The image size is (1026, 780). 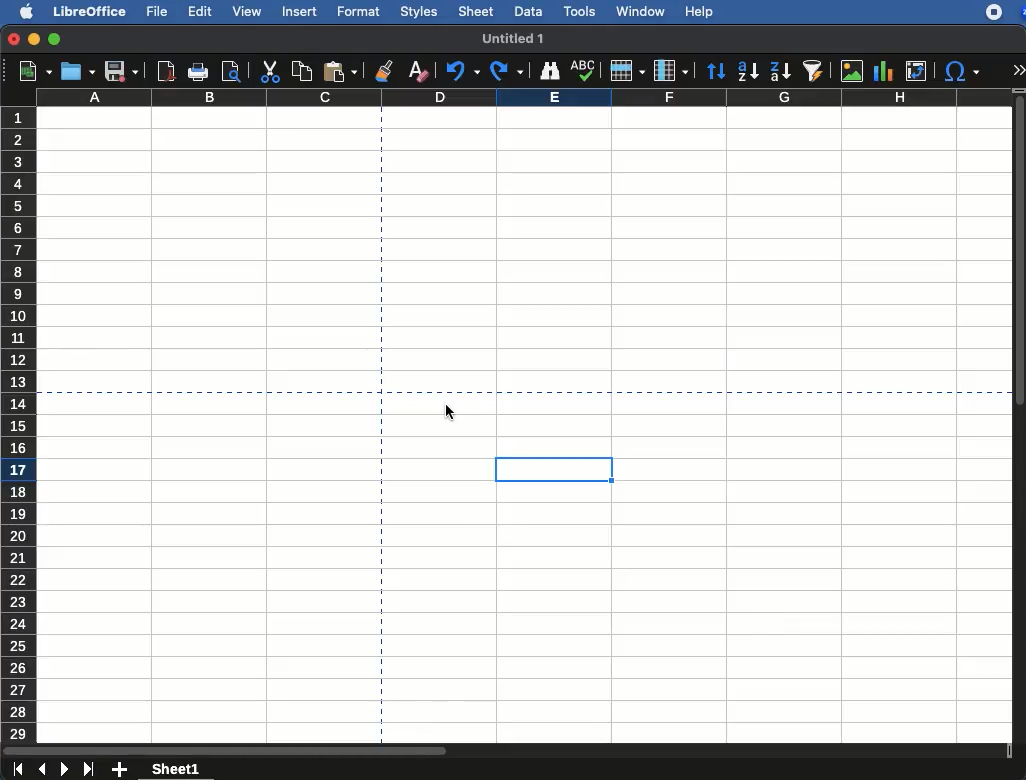 What do you see at coordinates (420, 11) in the screenshot?
I see `styles` at bounding box center [420, 11].